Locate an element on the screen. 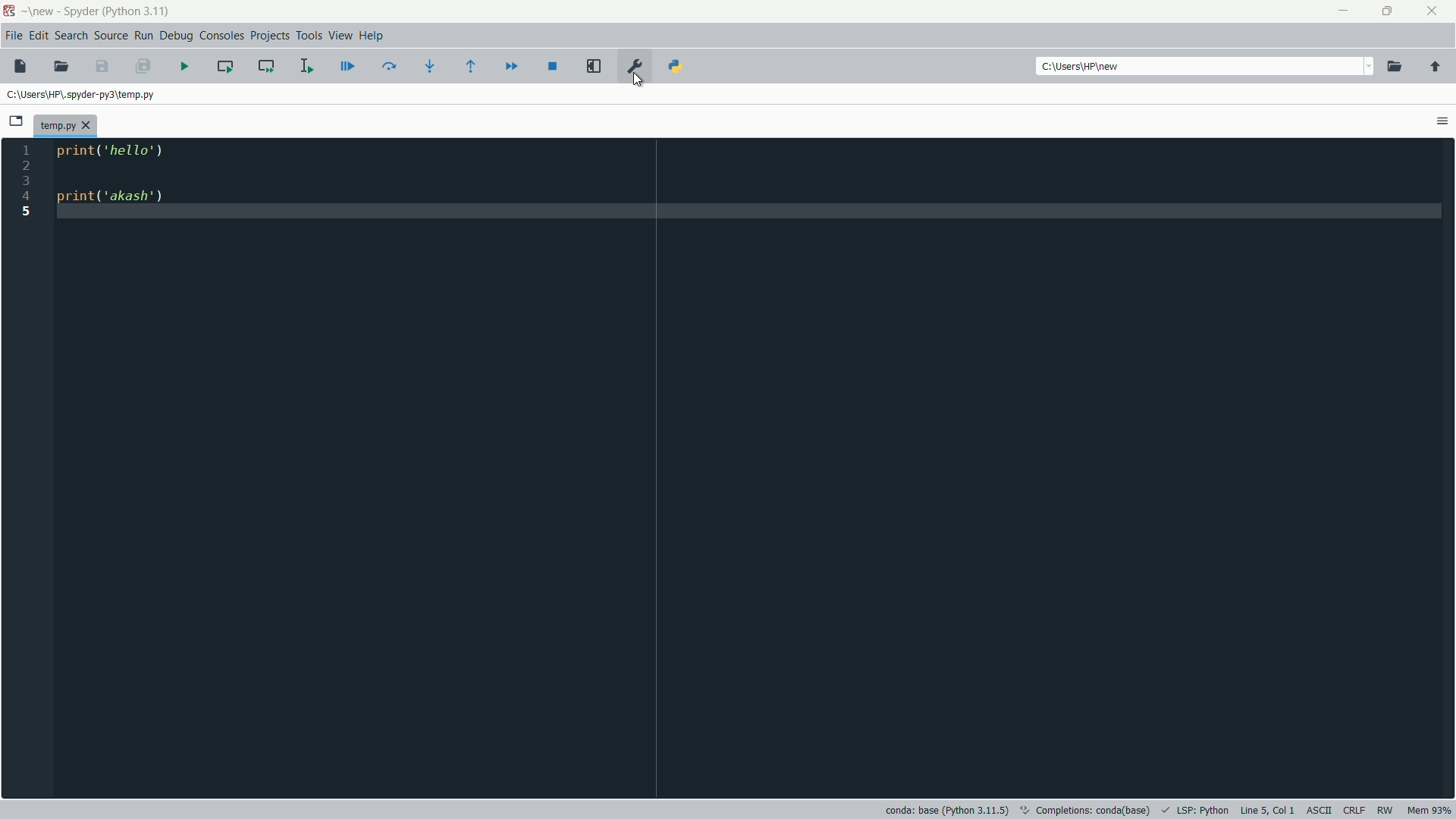 The image size is (1456, 819). line numbers is located at coordinates (26, 181).